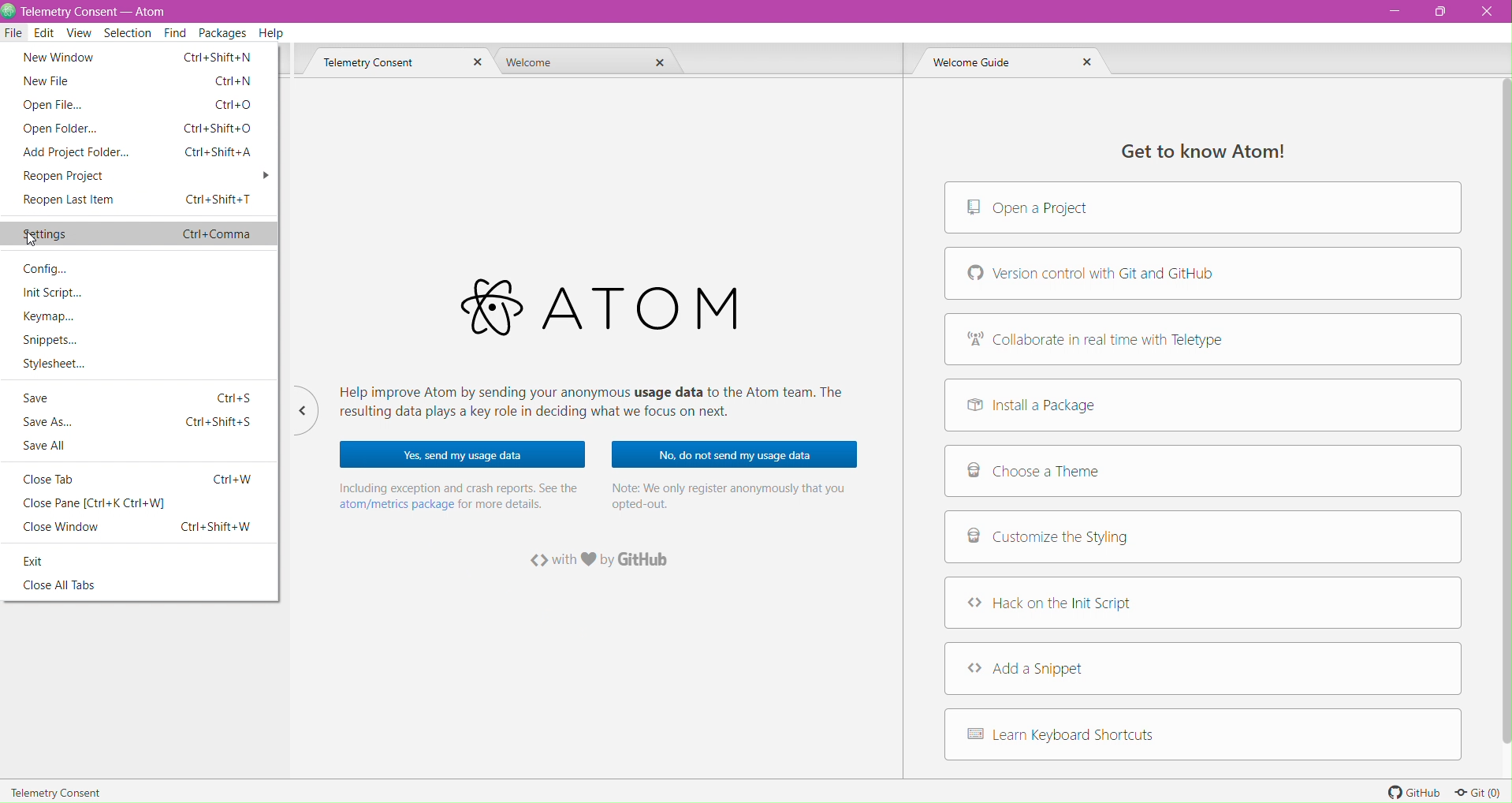 Image resolution: width=1512 pixels, height=803 pixels. I want to click on View, so click(79, 35).